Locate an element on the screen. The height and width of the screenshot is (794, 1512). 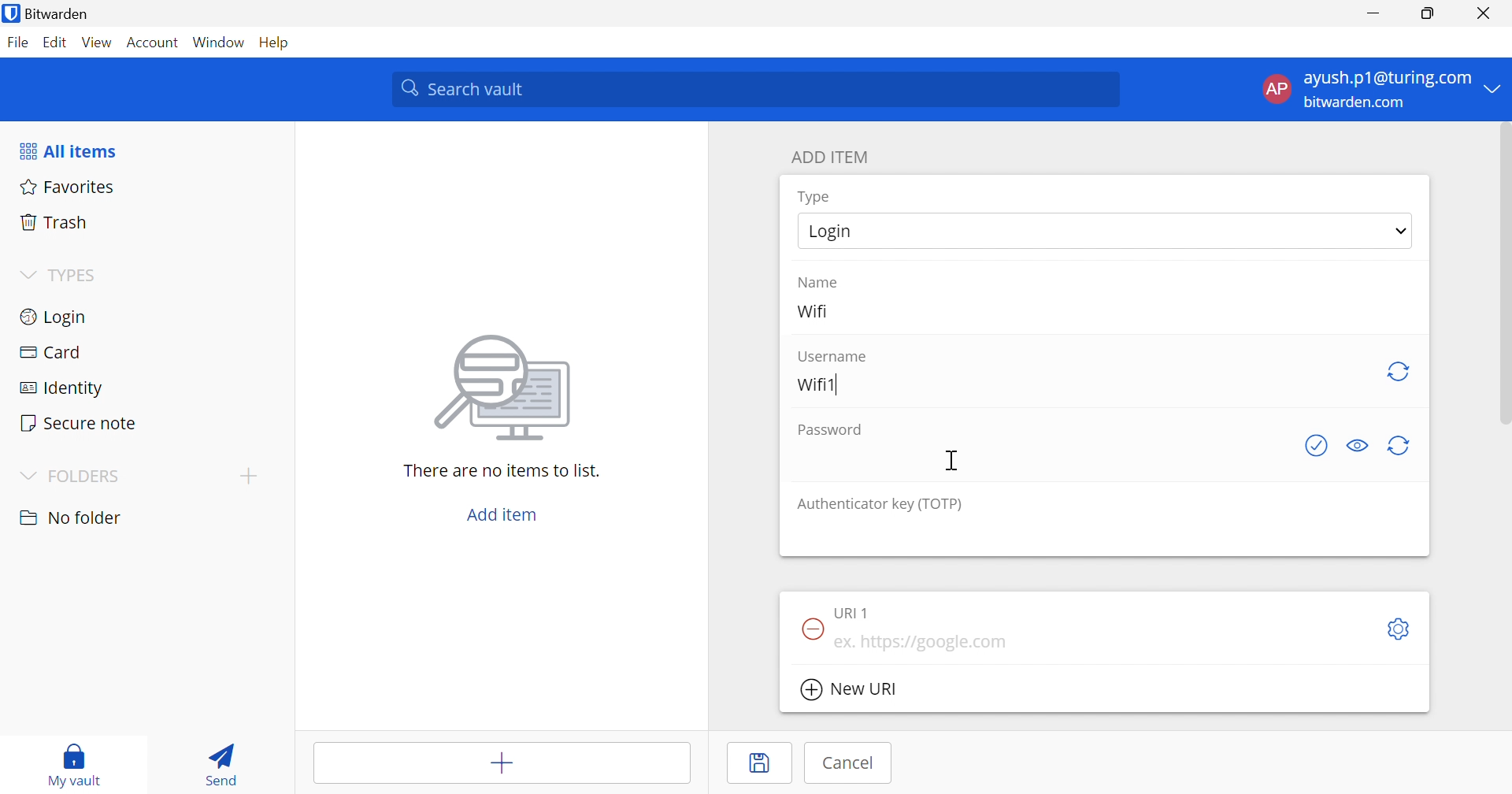
Search vault is located at coordinates (754, 89).